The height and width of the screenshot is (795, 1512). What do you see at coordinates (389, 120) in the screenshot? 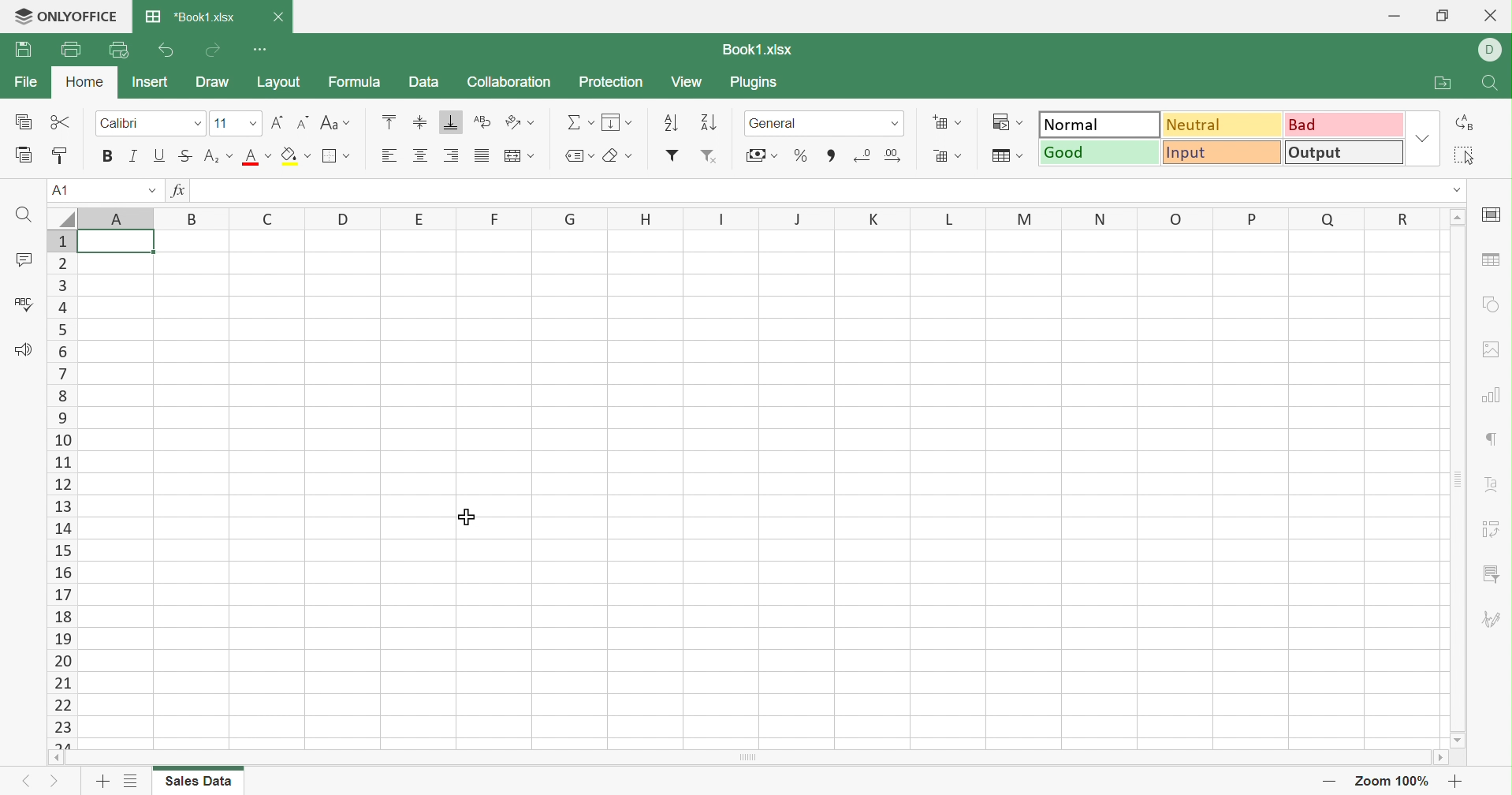
I see `Align Top` at bounding box center [389, 120].